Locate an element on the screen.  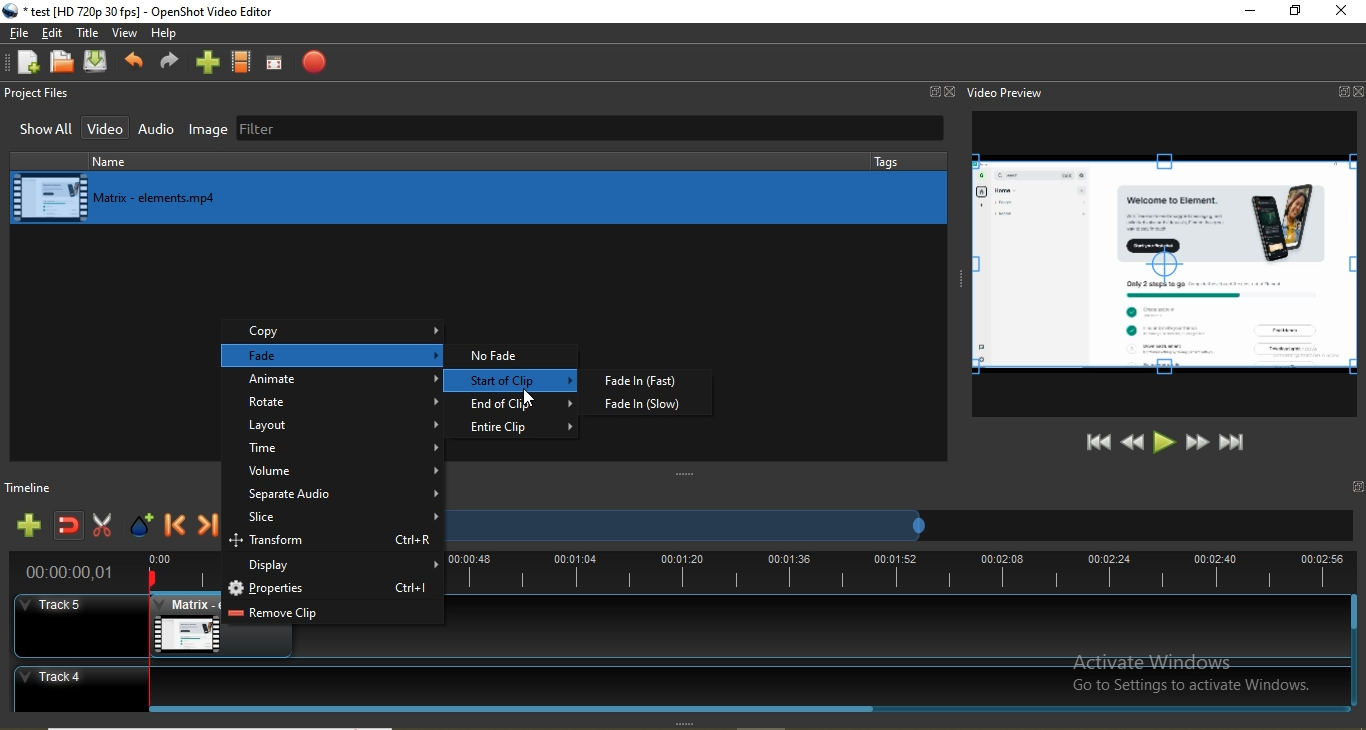
Enable razor is located at coordinates (106, 528).